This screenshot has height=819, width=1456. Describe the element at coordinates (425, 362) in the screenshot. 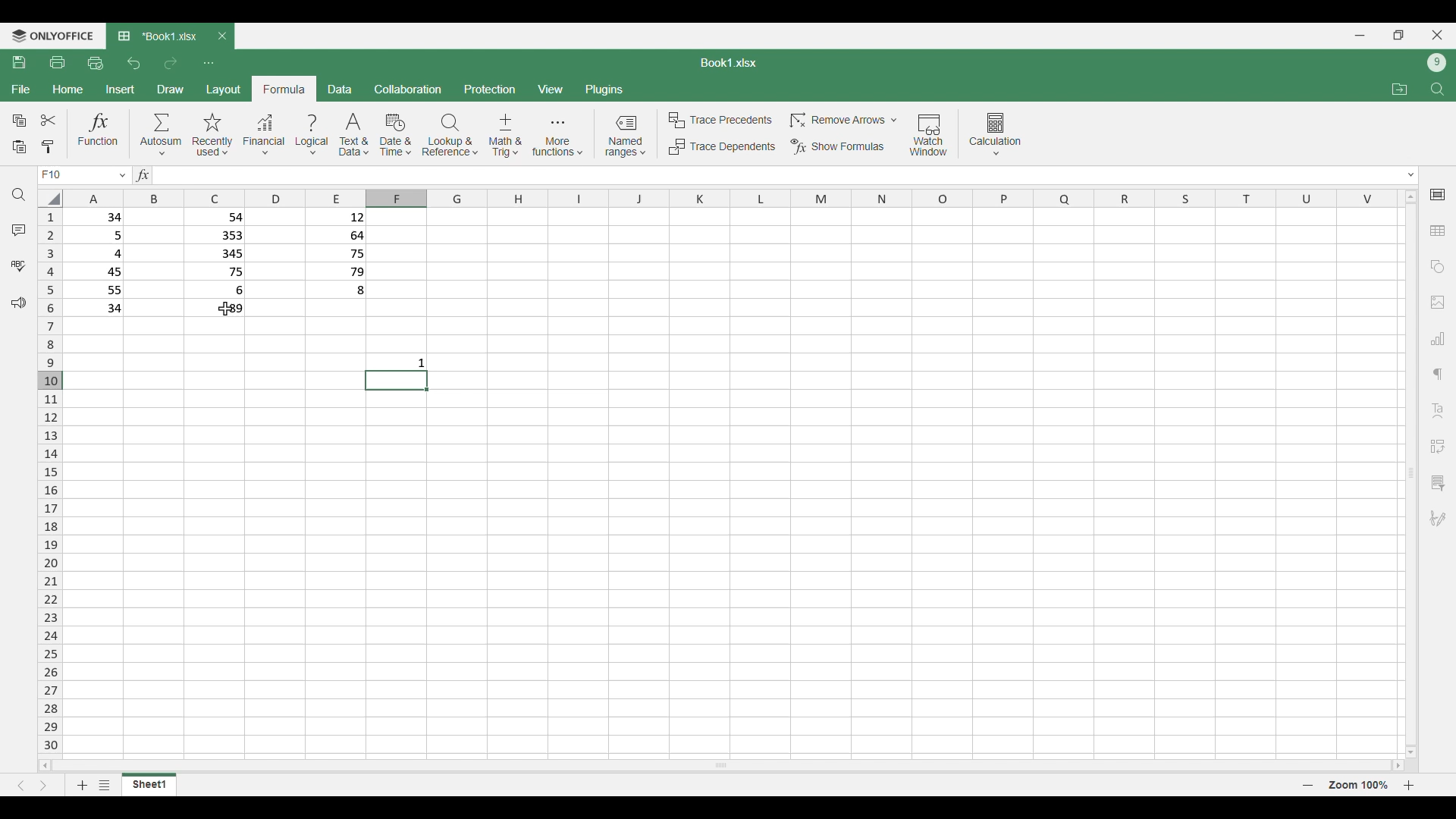

I see `1` at that location.